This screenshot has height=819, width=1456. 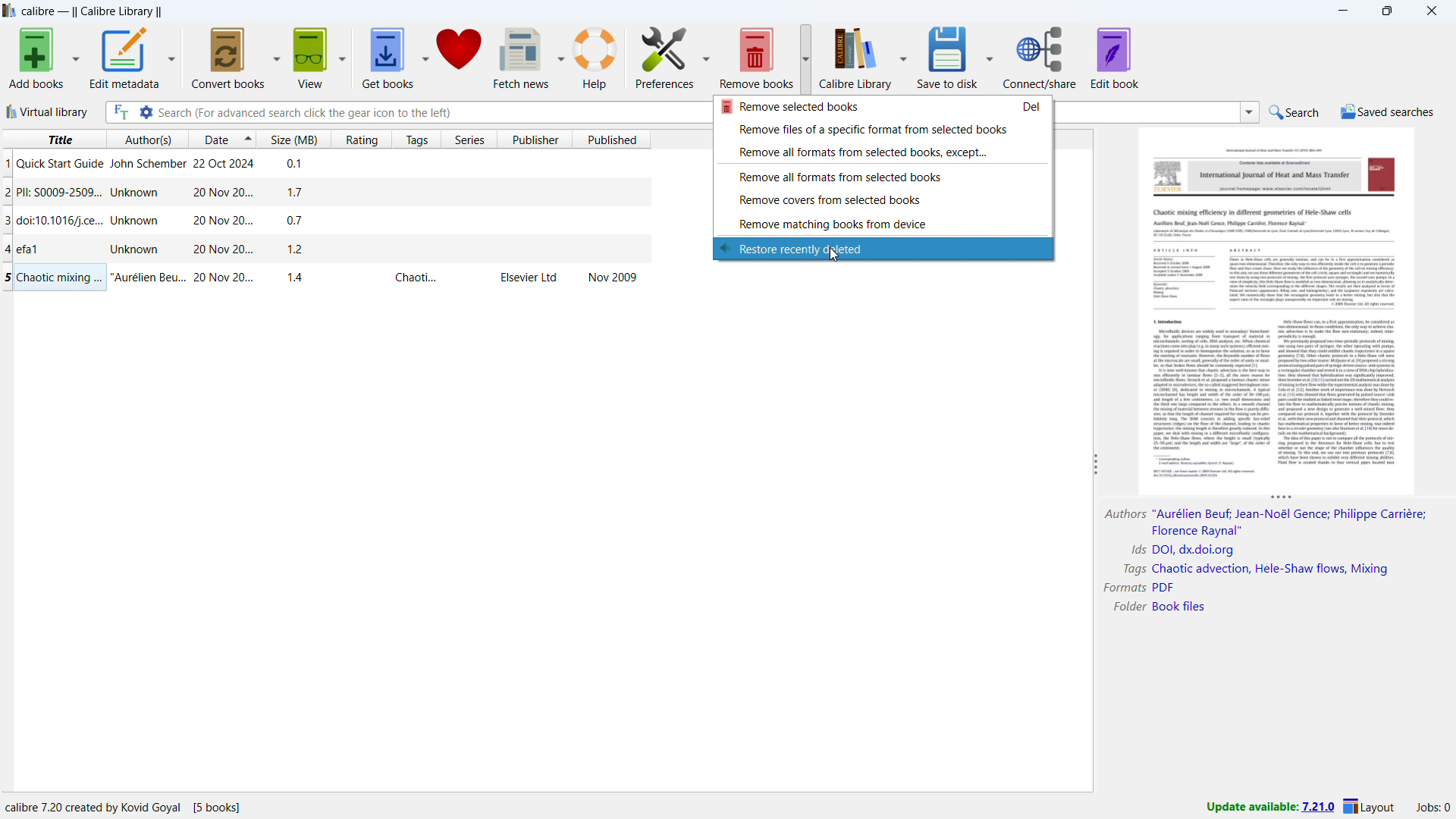 What do you see at coordinates (1269, 808) in the screenshot?
I see `update` at bounding box center [1269, 808].